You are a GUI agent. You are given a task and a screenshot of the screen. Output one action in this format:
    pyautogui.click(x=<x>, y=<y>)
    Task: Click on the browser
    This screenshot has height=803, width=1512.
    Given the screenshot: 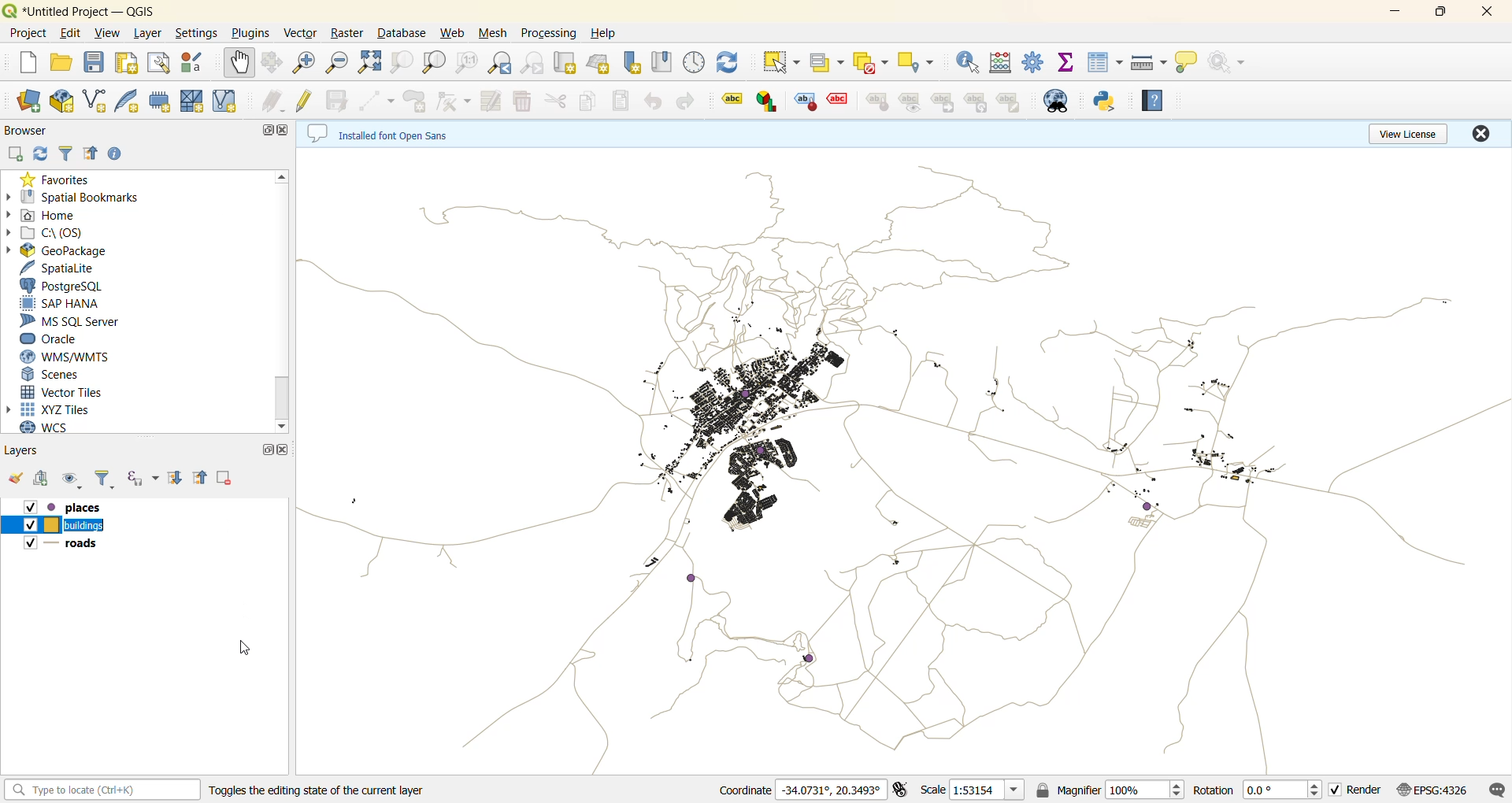 What is the action you would take?
    pyautogui.click(x=25, y=130)
    